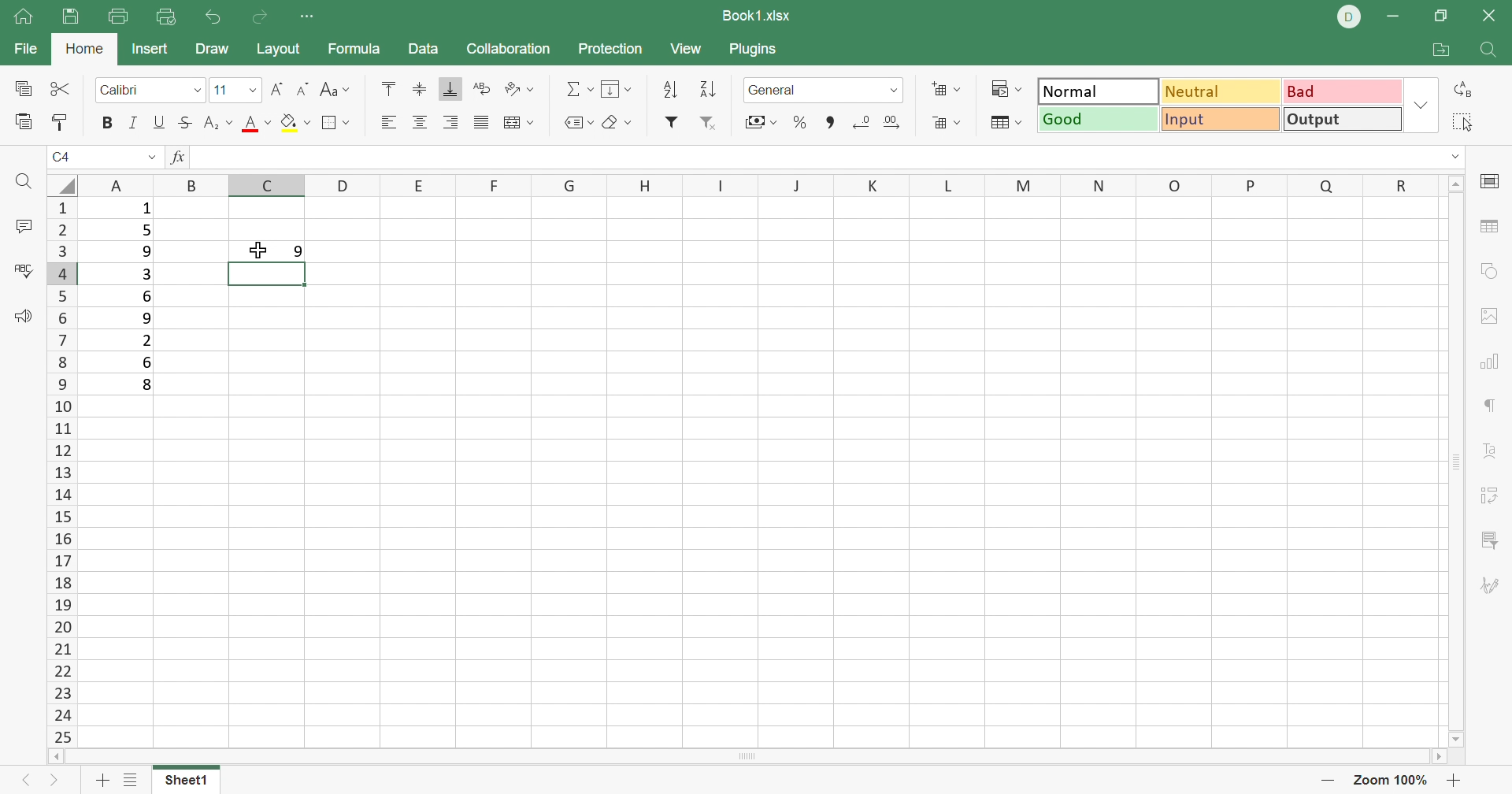 The width and height of the screenshot is (1512, 794). What do you see at coordinates (1492, 15) in the screenshot?
I see `Close` at bounding box center [1492, 15].